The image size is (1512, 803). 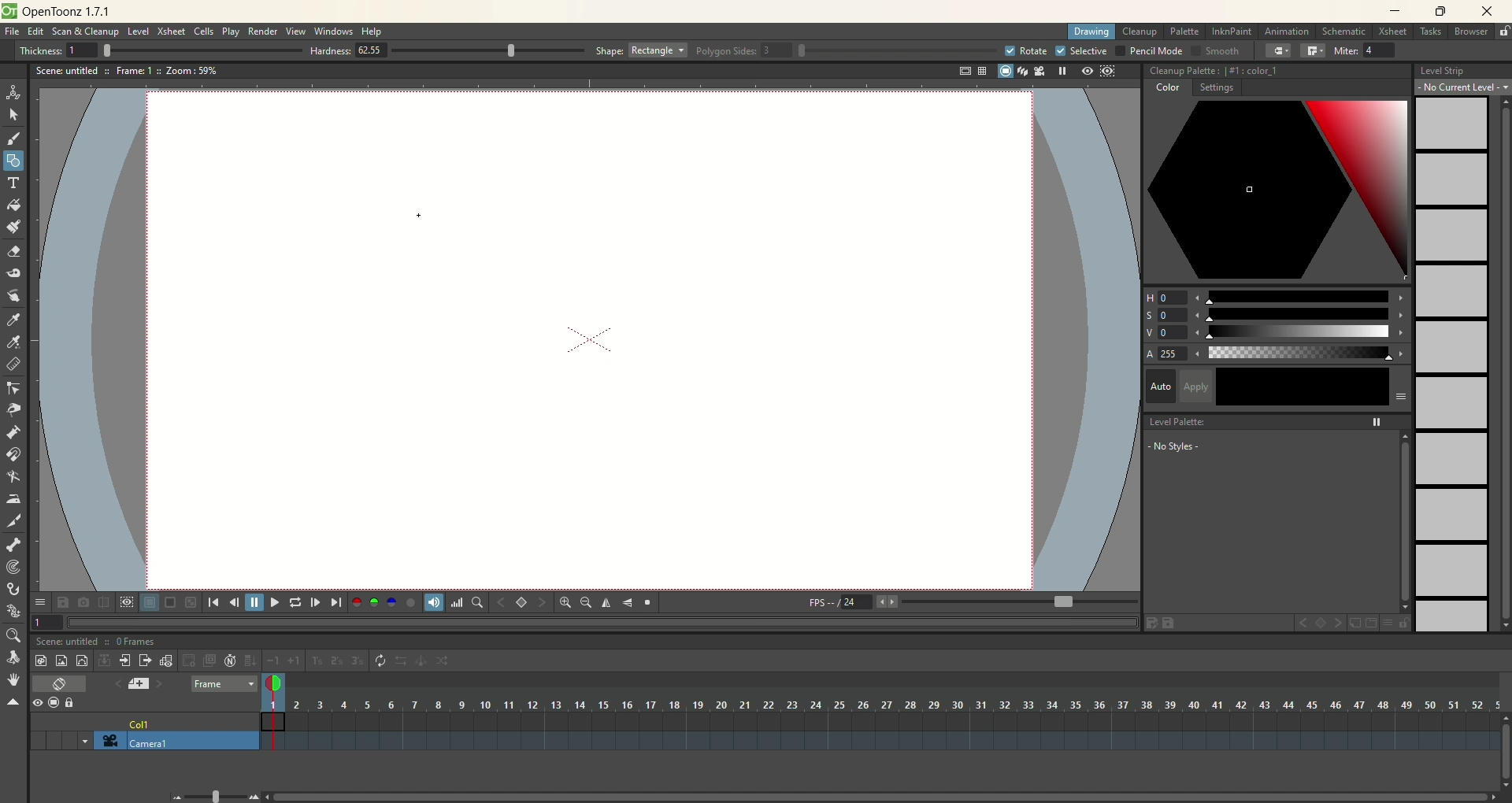 What do you see at coordinates (1280, 420) in the screenshot?
I see `level palette` at bounding box center [1280, 420].